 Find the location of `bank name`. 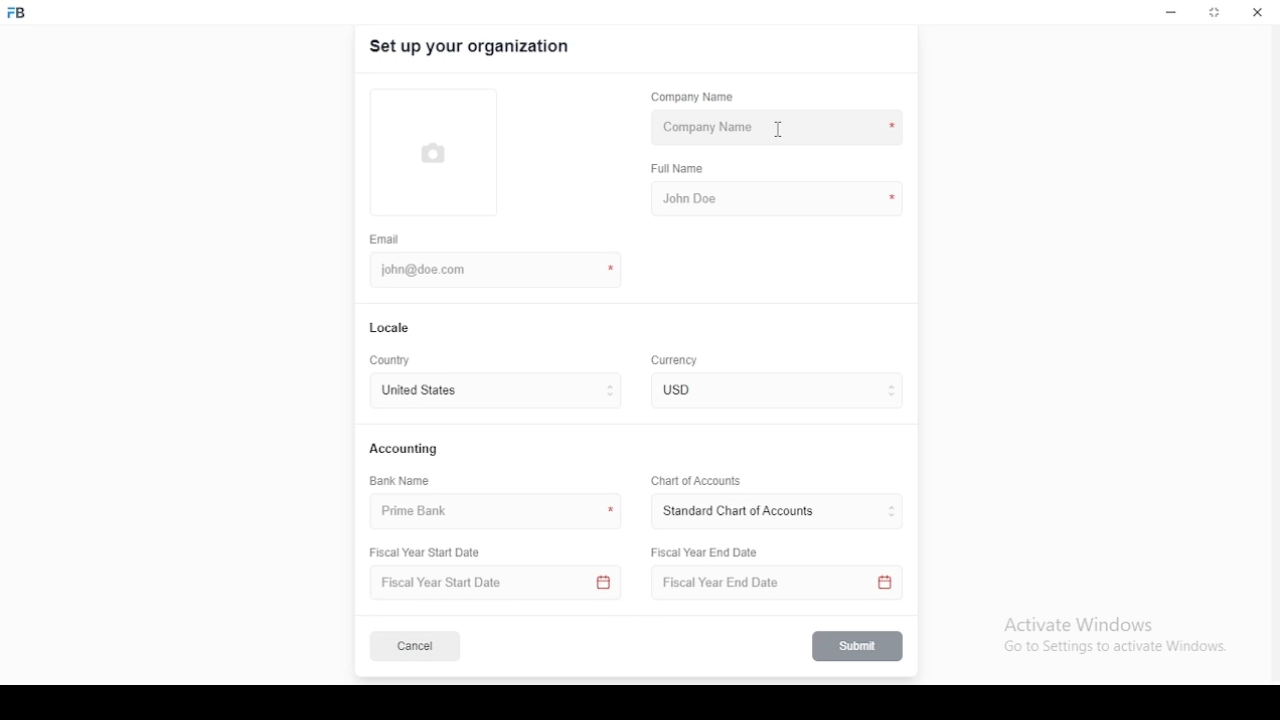

bank name is located at coordinates (401, 481).